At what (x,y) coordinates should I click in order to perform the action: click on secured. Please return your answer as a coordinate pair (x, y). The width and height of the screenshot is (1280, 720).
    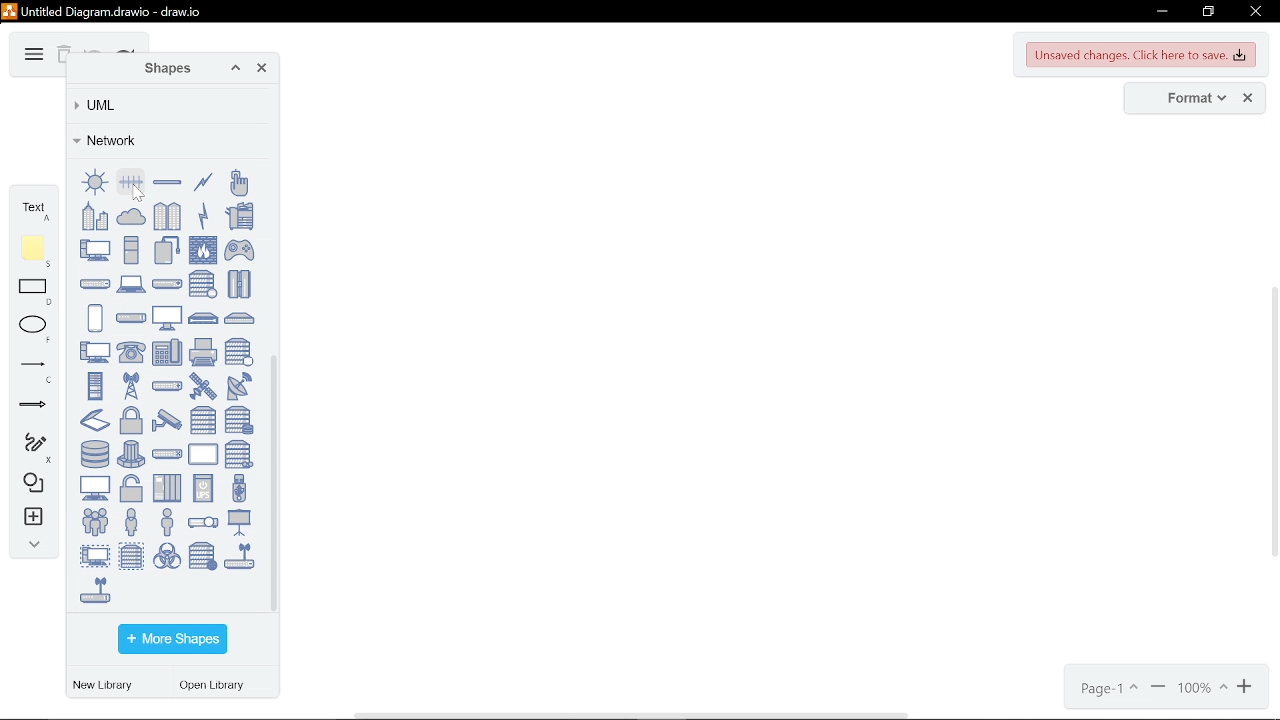
    Looking at the image, I should click on (131, 421).